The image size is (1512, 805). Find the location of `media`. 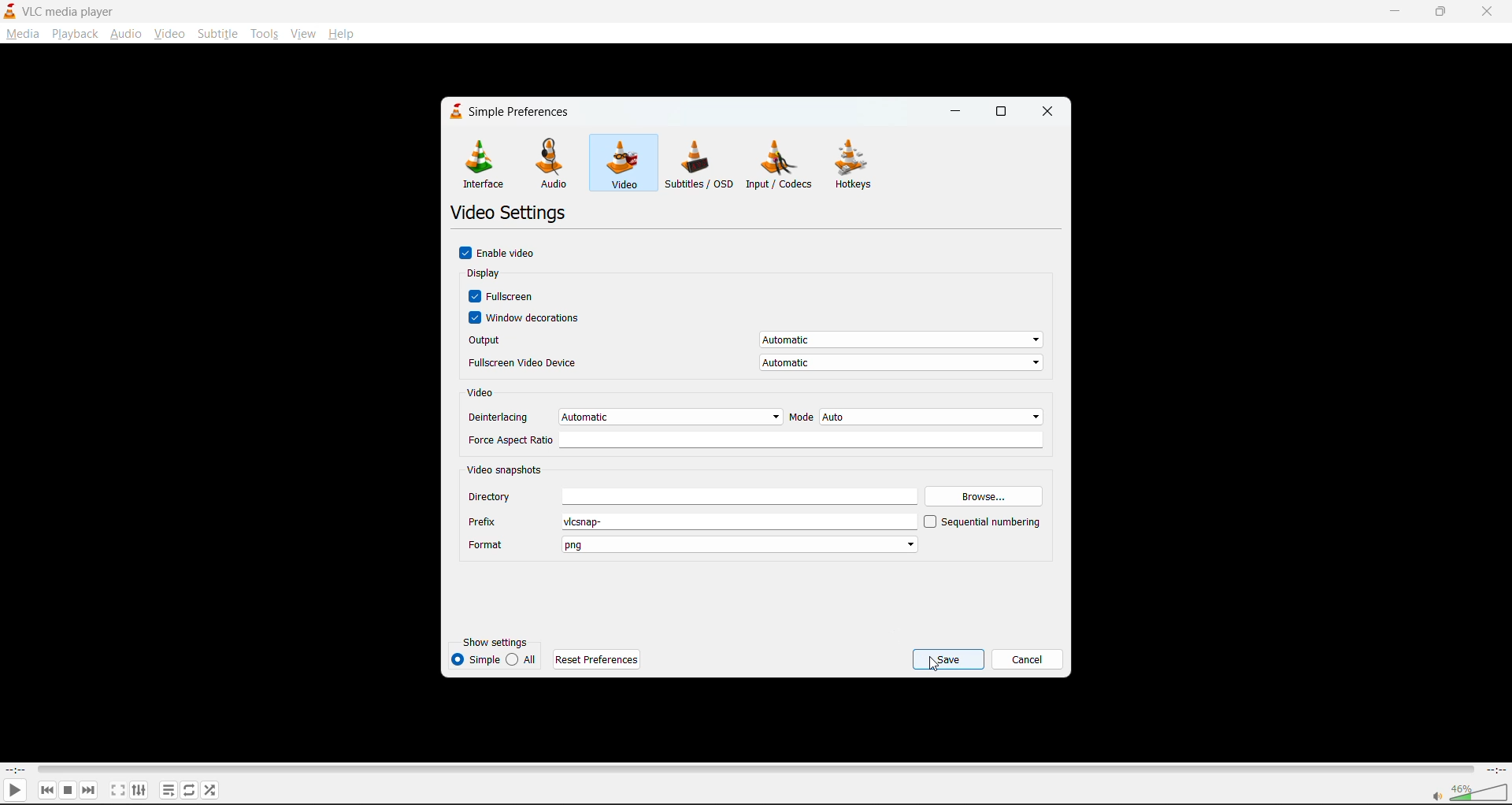

media is located at coordinates (20, 33).